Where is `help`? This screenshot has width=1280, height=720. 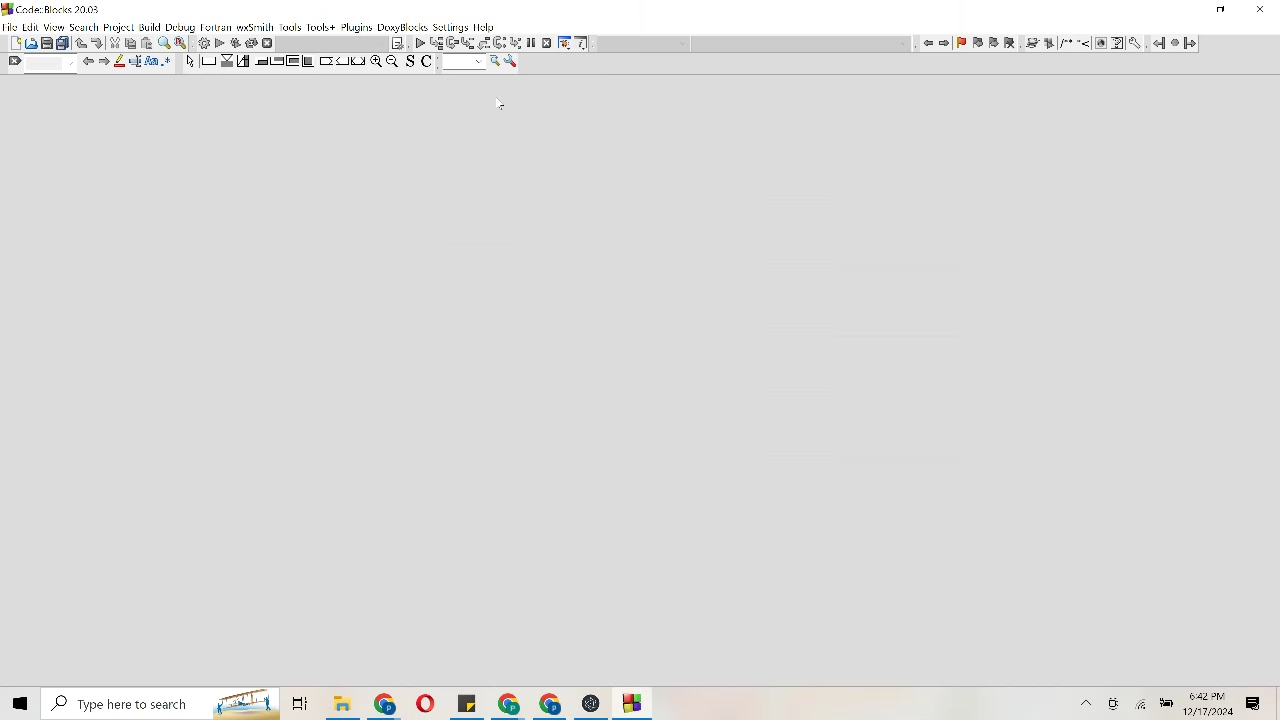
help is located at coordinates (484, 27).